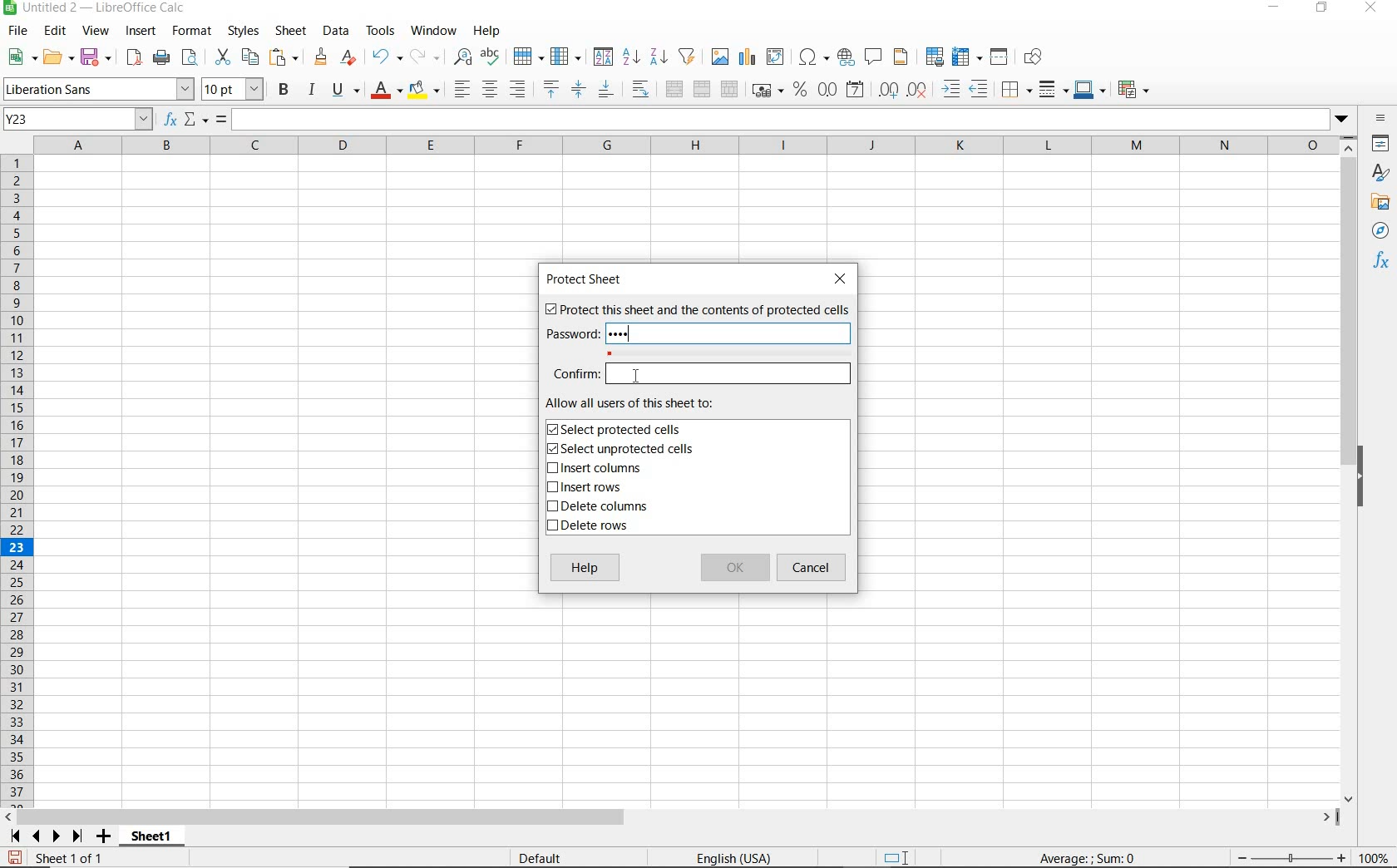 This screenshot has width=1397, height=868. I want to click on SIDEBAR SETTINGS, so click(1380, 118).